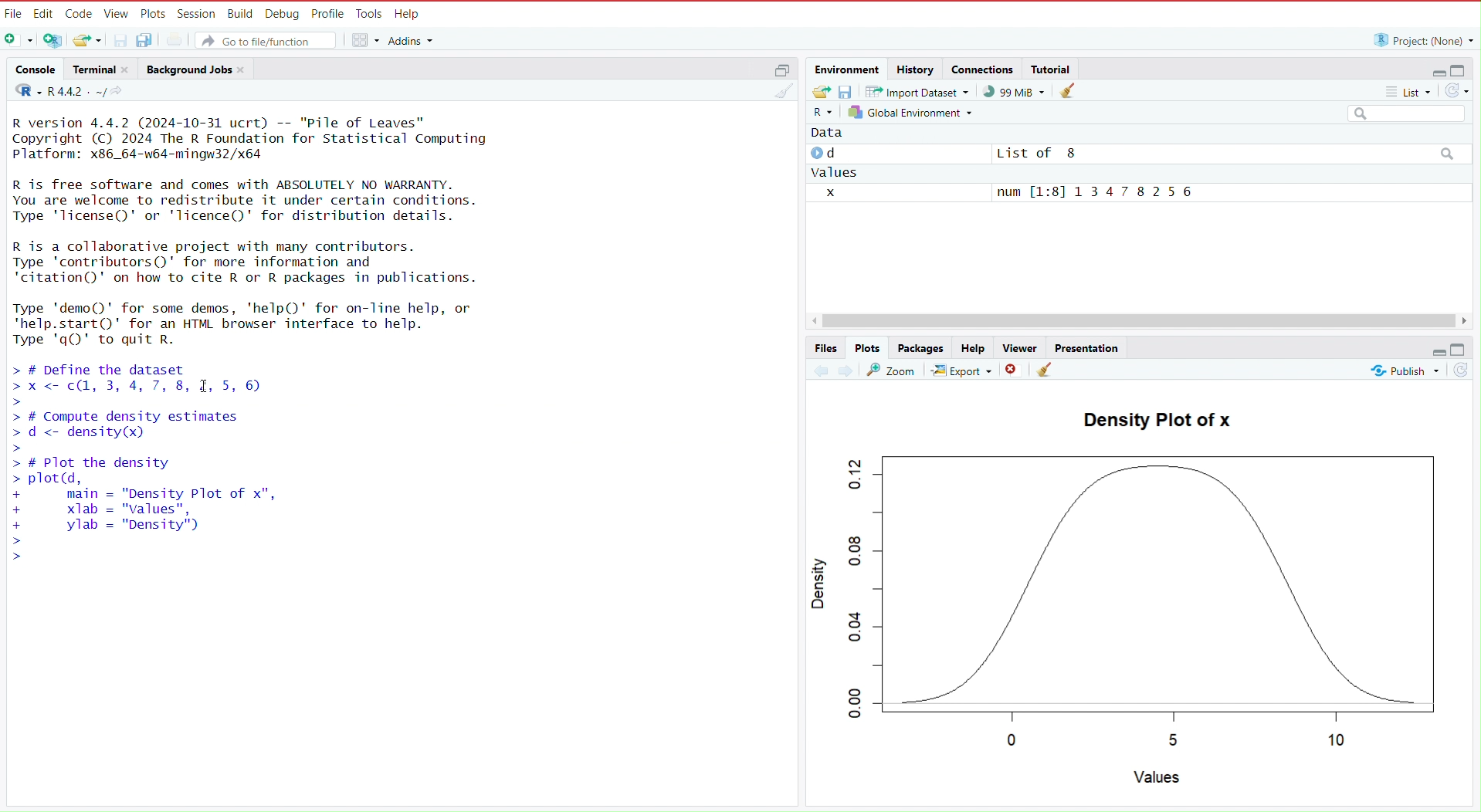  Describe the element at coordinates (834, 174) in the screenshot. I see `values` at that location.